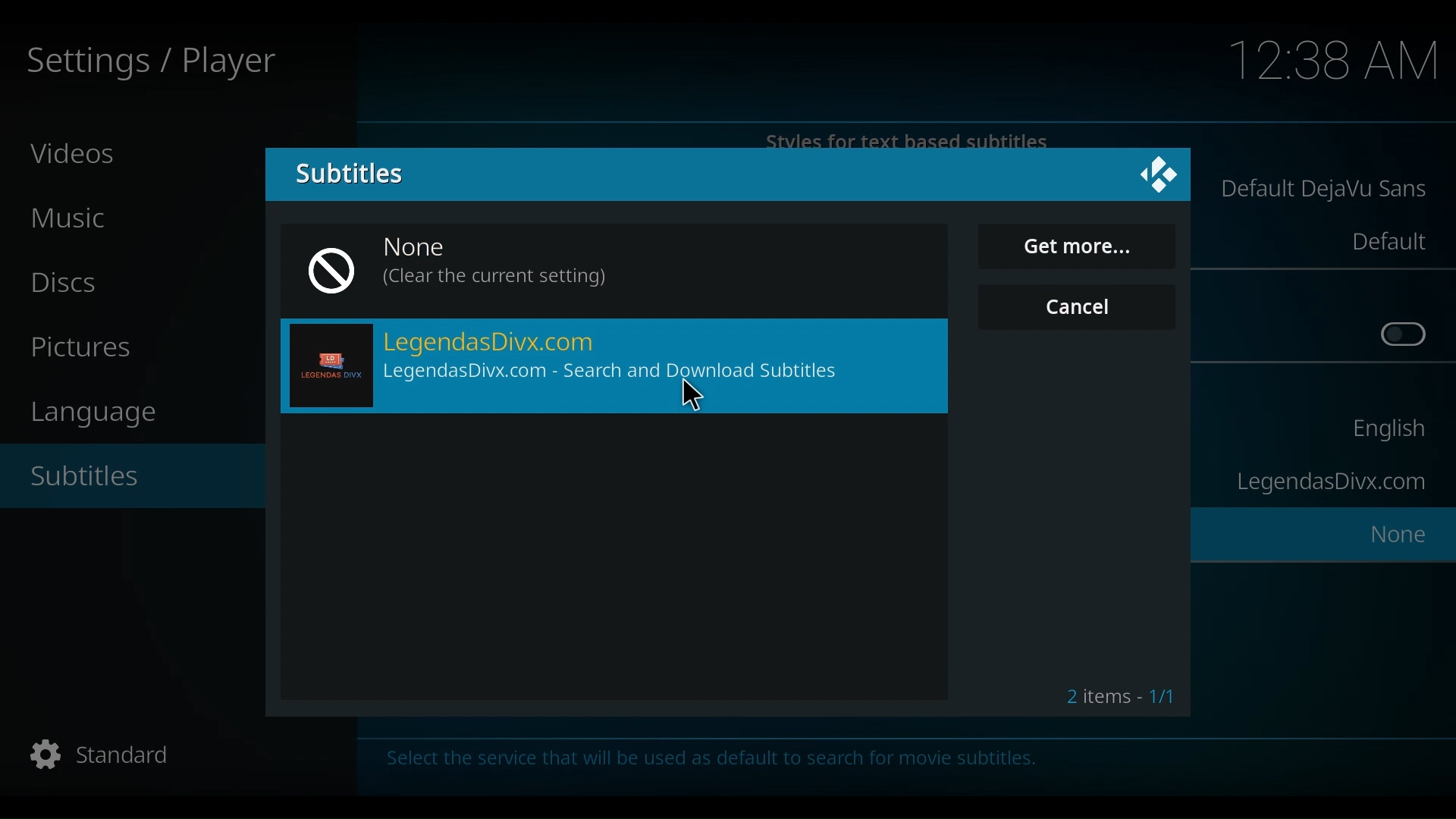 This screenshot has height=819, width=1456. I want to click on Select the service that will be used as default to search for movie subtitles., so click(717, 761).